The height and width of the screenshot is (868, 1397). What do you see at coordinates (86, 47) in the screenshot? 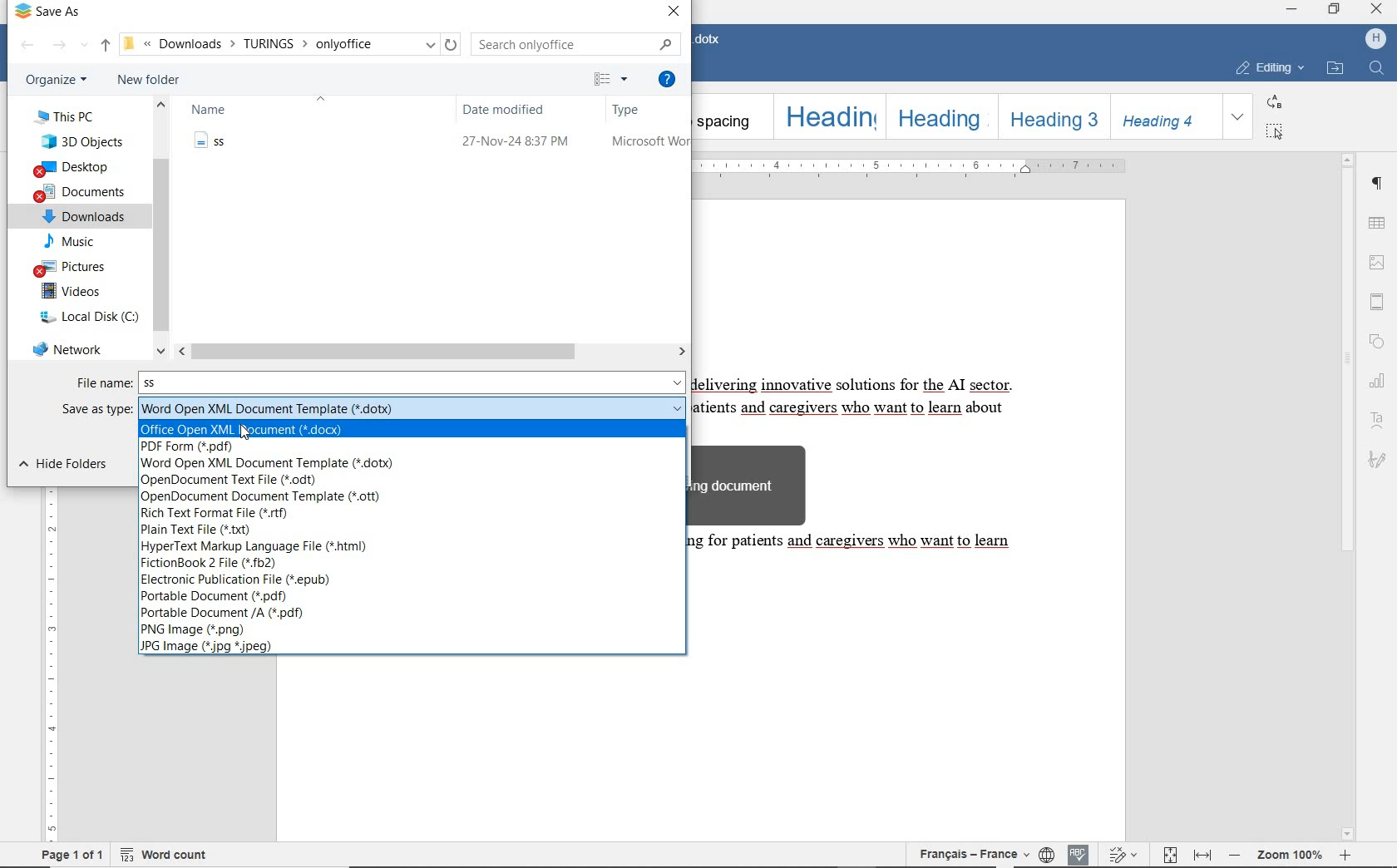
I see `Recent location` at bounding box center [86, 47].